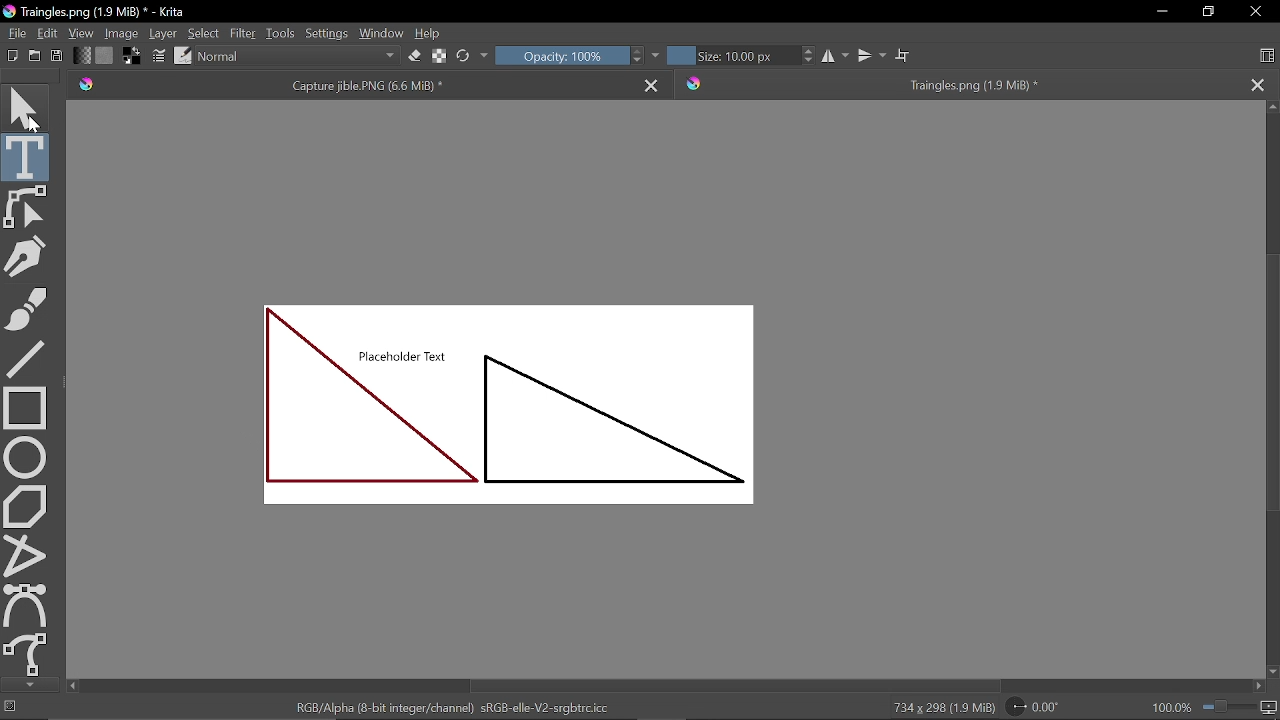  What do you see at coordinates (98, 12) in the screenshot?
I see `Traingles.png (1.9 MiB) * - Krita` at bounding box center [98, 12].